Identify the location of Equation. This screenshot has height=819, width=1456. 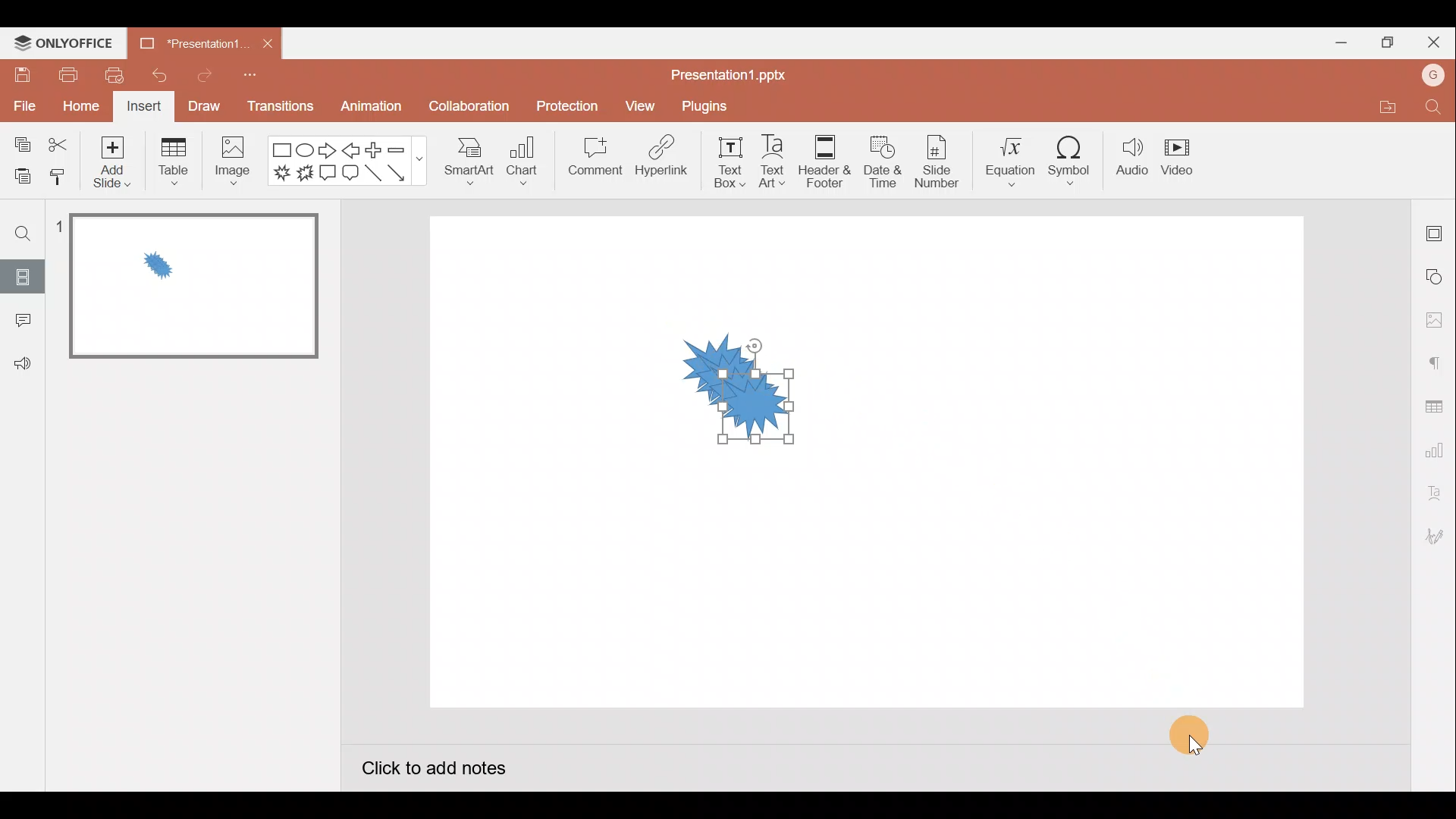
(1006, 163).